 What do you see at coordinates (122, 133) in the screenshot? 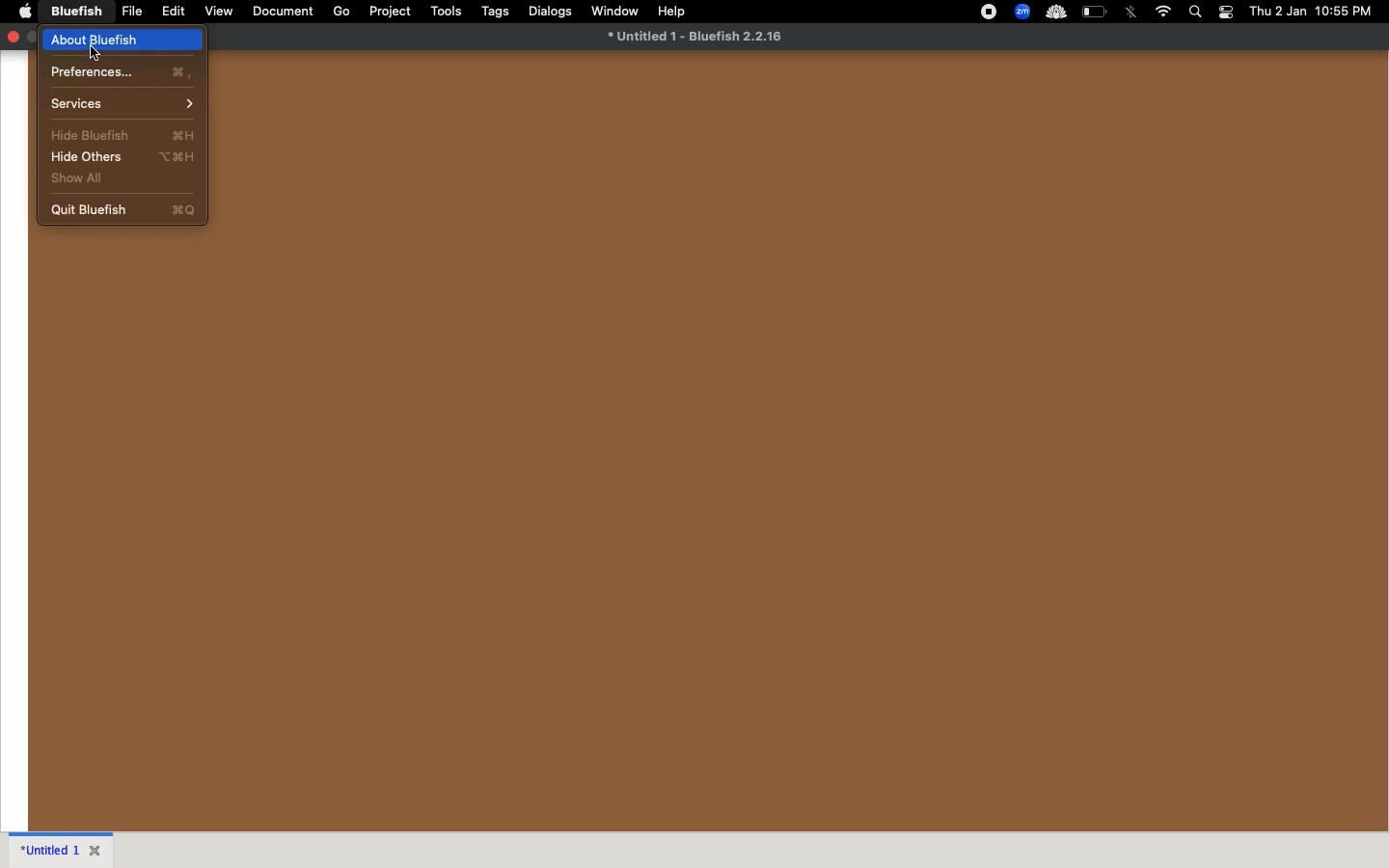
I see `hide bluefish` at bounding box center [122, 133].